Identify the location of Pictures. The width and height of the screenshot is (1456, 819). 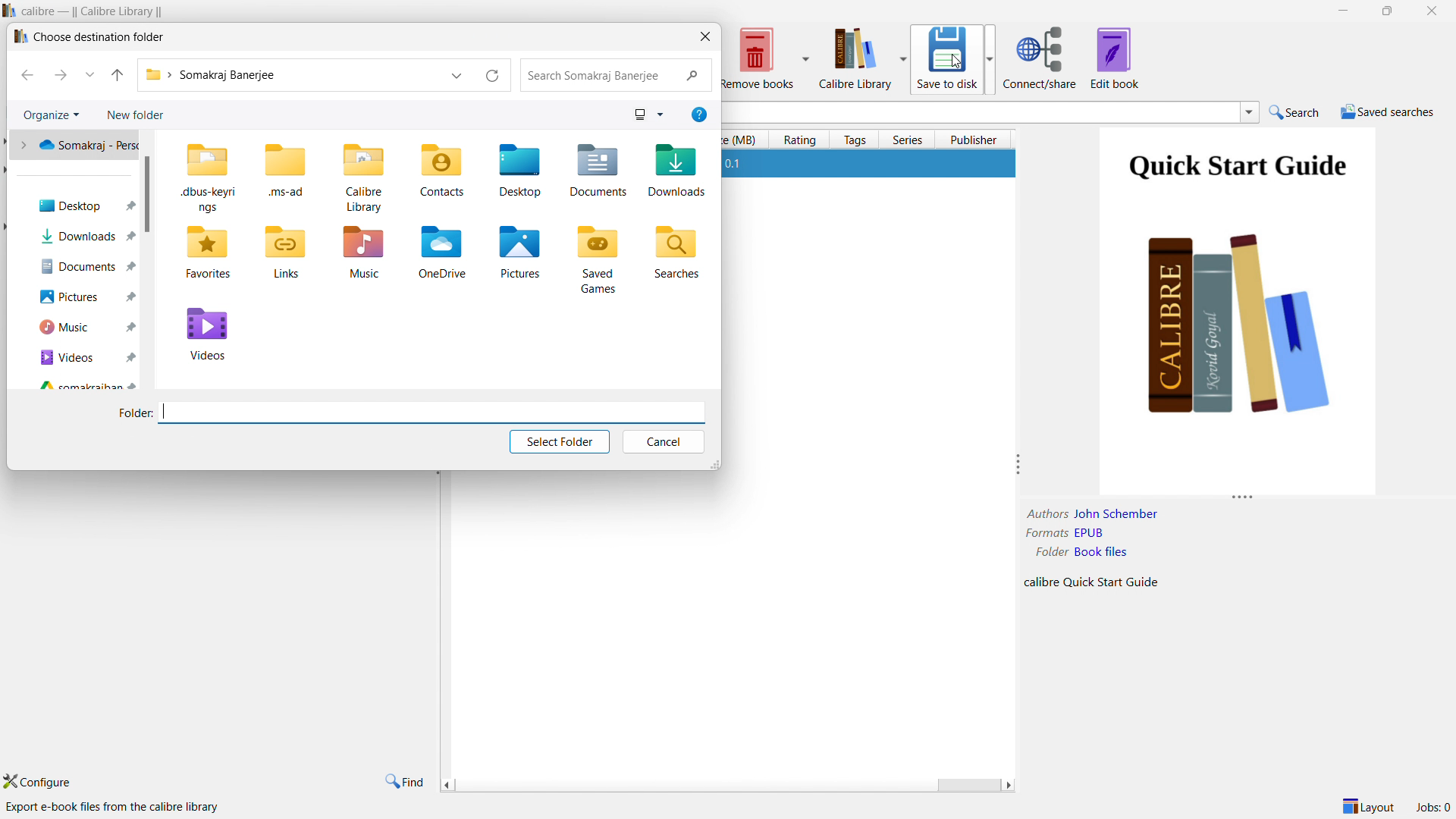
(83, 297).